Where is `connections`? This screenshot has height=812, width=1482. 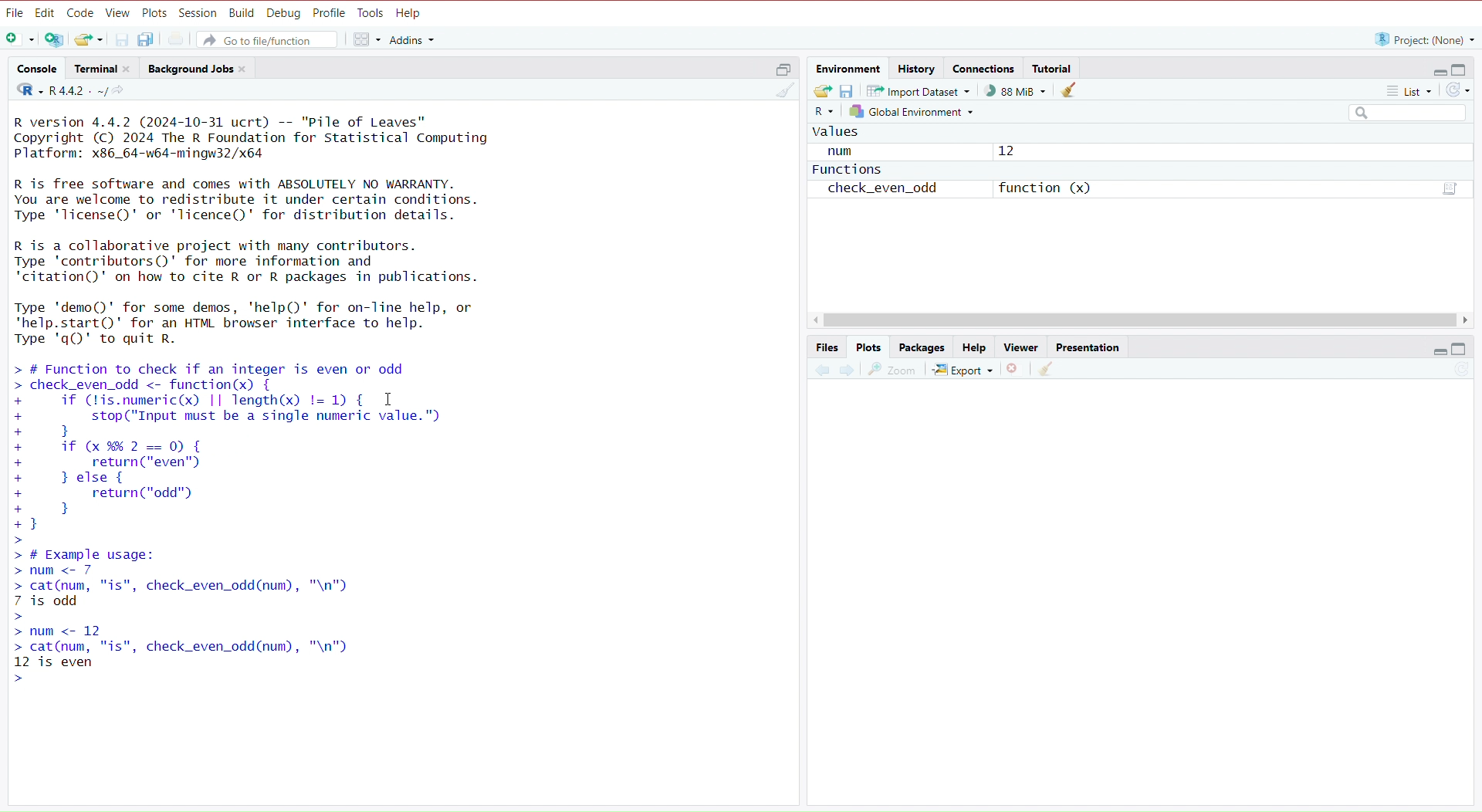 connections is located at coordinates (985, 70).